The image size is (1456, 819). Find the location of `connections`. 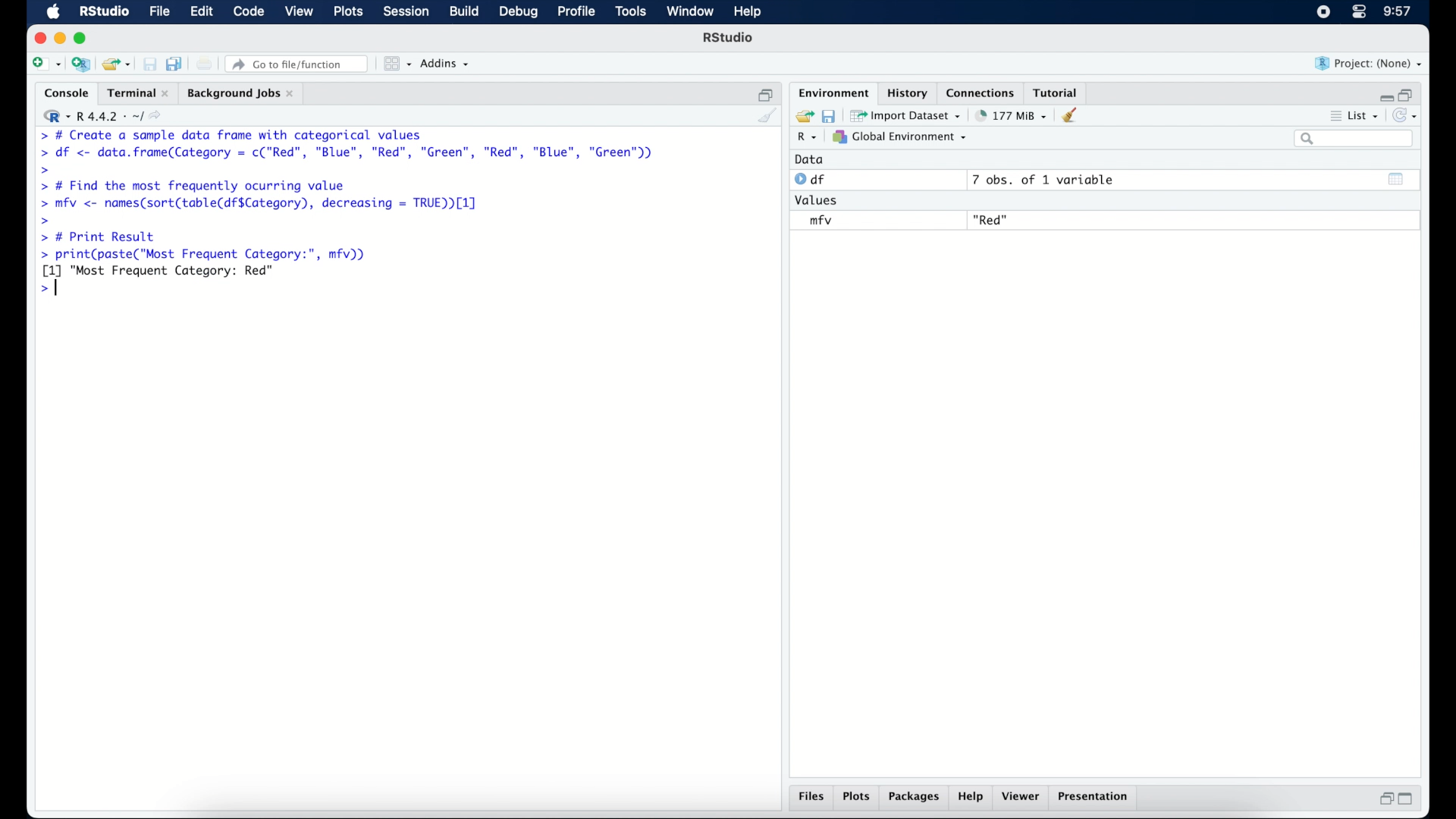

connections is located at coordinates (982, 92).